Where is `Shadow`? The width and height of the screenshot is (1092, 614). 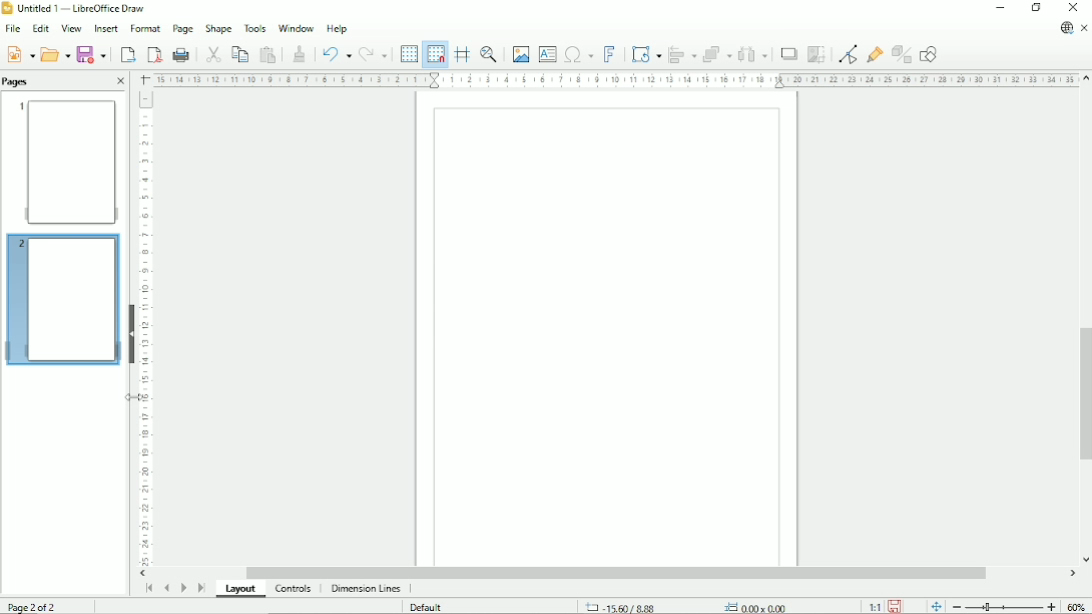
Shadow is located at coordinates (788, 54).